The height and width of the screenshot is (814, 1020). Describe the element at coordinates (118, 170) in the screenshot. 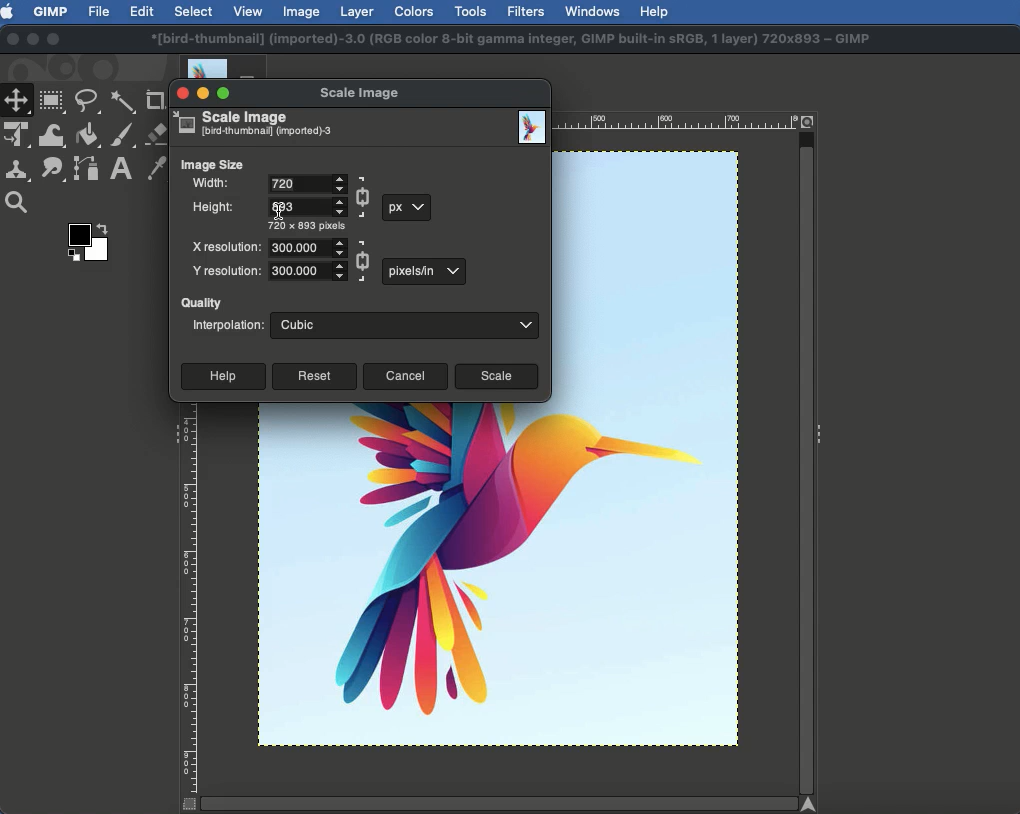

I see `Text` at that location.